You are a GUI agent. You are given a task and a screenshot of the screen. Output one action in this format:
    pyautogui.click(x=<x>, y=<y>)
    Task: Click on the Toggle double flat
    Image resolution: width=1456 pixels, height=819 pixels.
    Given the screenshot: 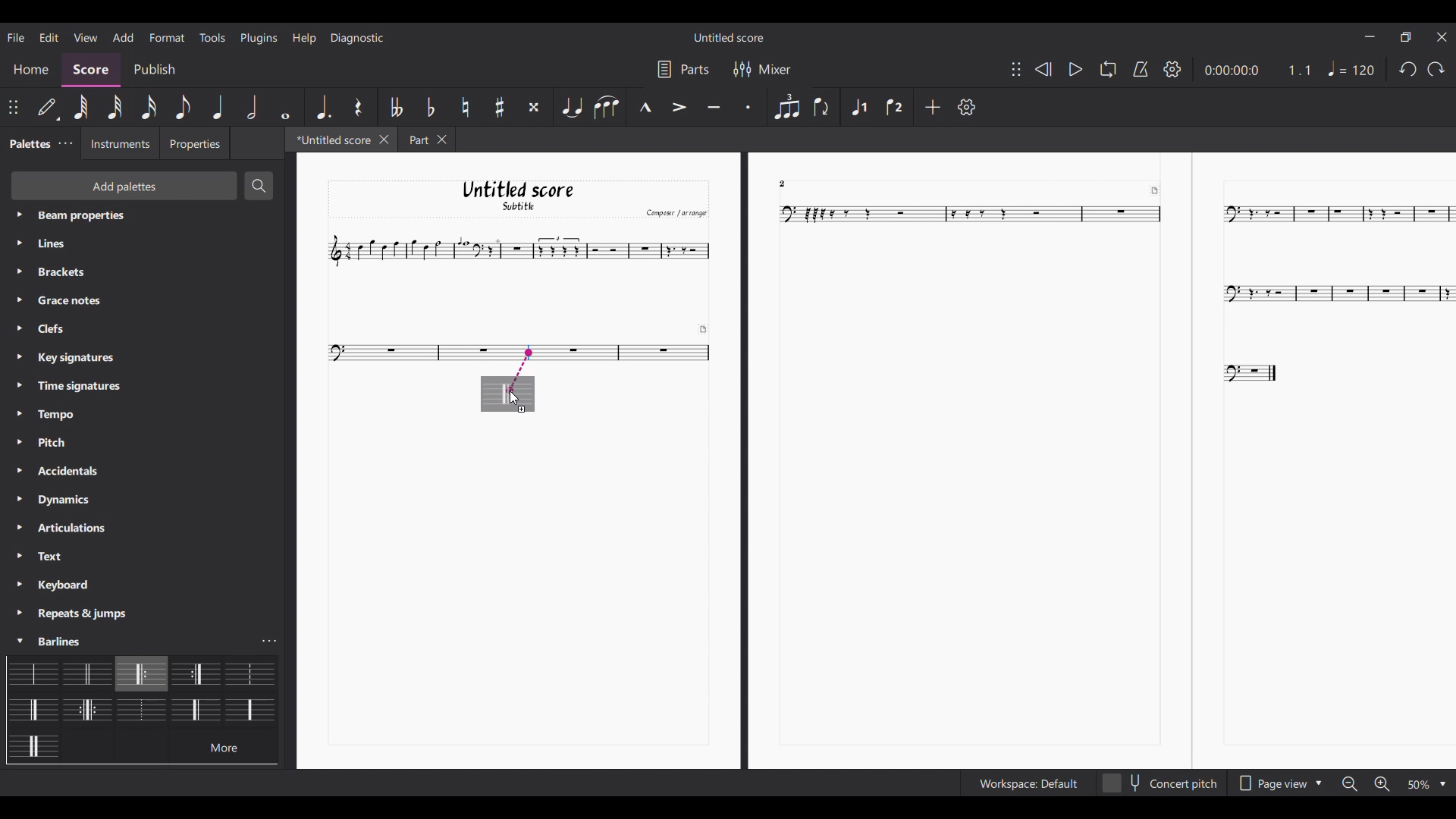 What is the action you would take?
    pyautogui.click(x=394, y=106)
    